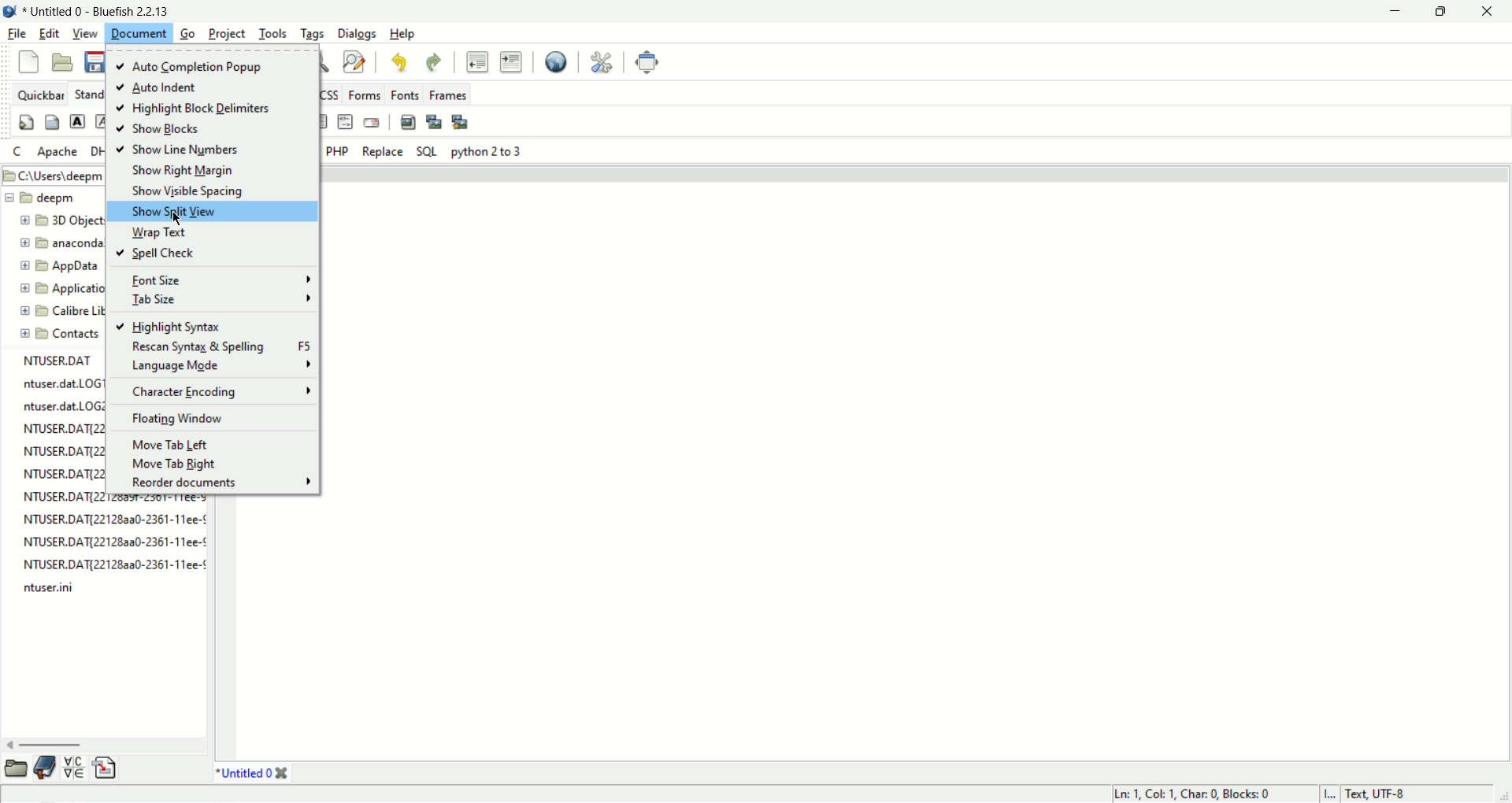 The width and height of the screenshot is (1512, 803). Describe the element at coordinates (84, 34) in the screenshot. I see `view` at that location.